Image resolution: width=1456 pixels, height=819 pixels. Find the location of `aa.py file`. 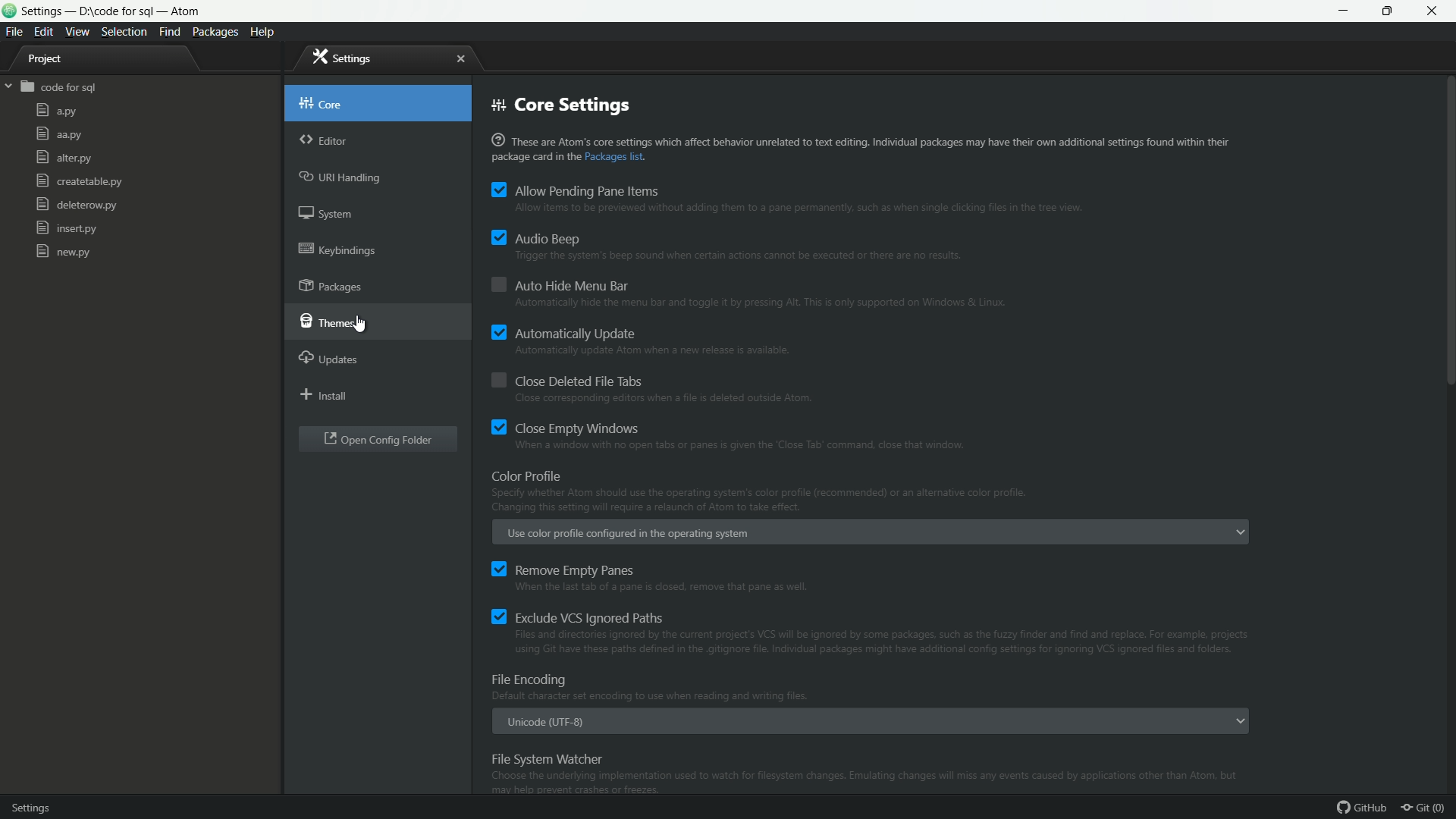

aa.py file is located at coordinates (58, 134).